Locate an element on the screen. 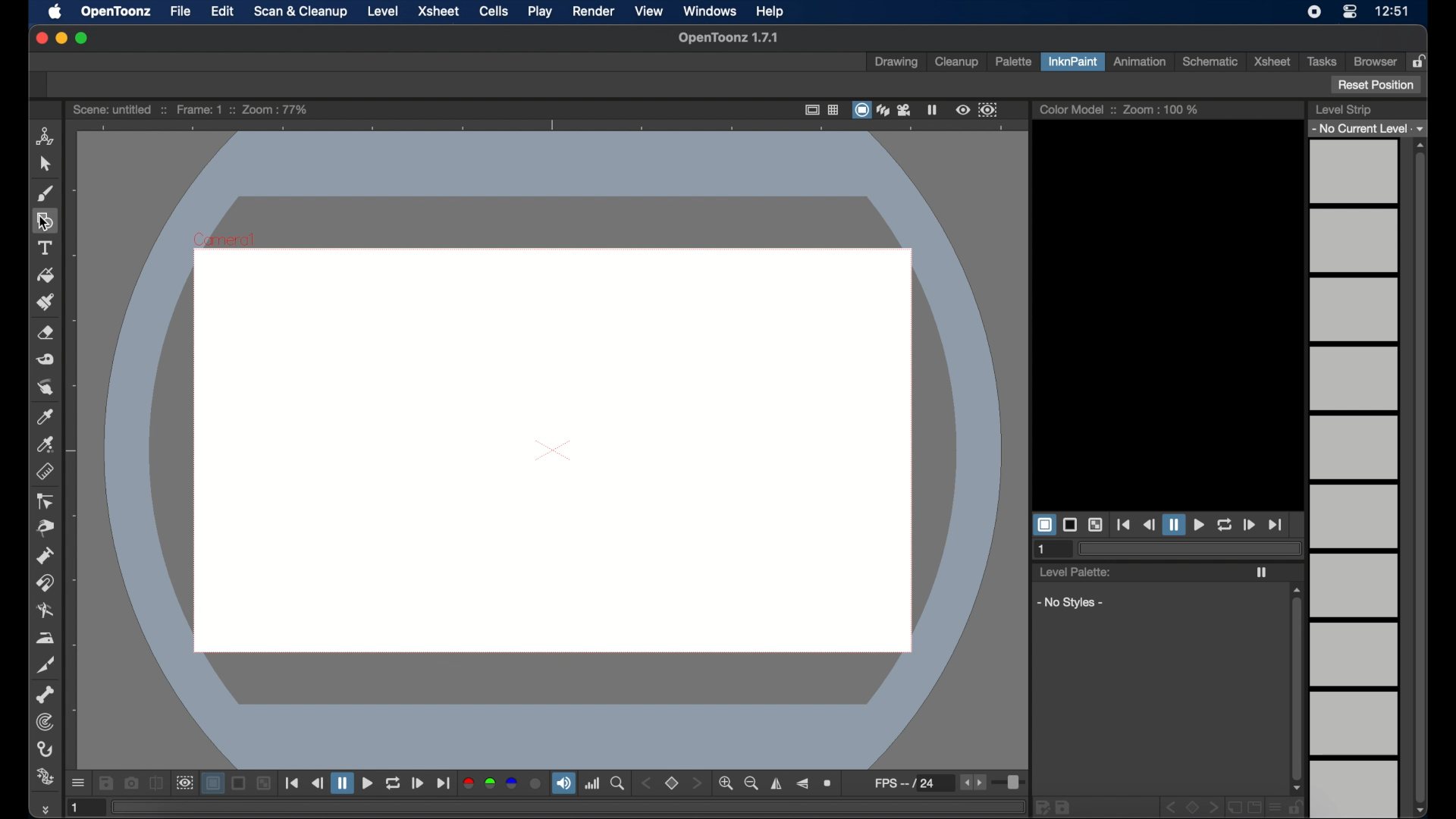 The image size is (1456, 819). stepper button is located at coordinates (645, 783).